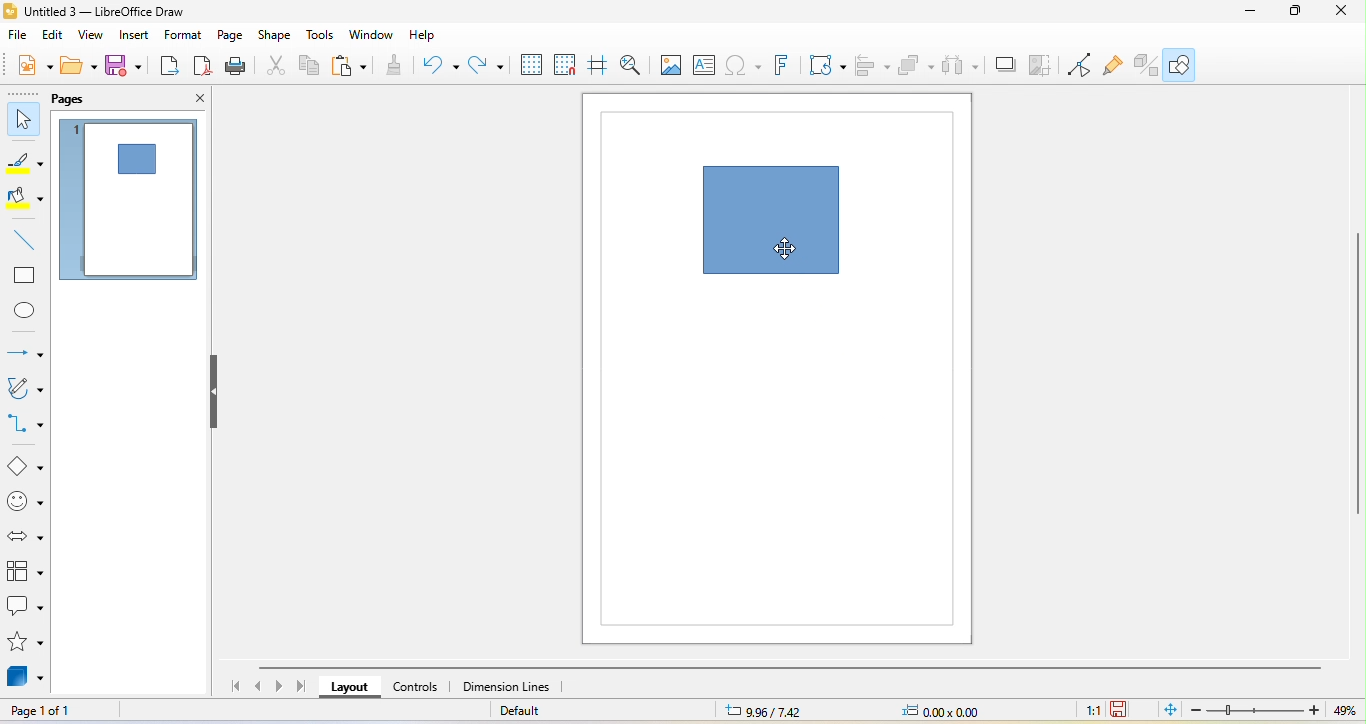  What do you see at coordinates (231, 686) in the screenshot?
I see `first page` at bounding box center [231, 686].